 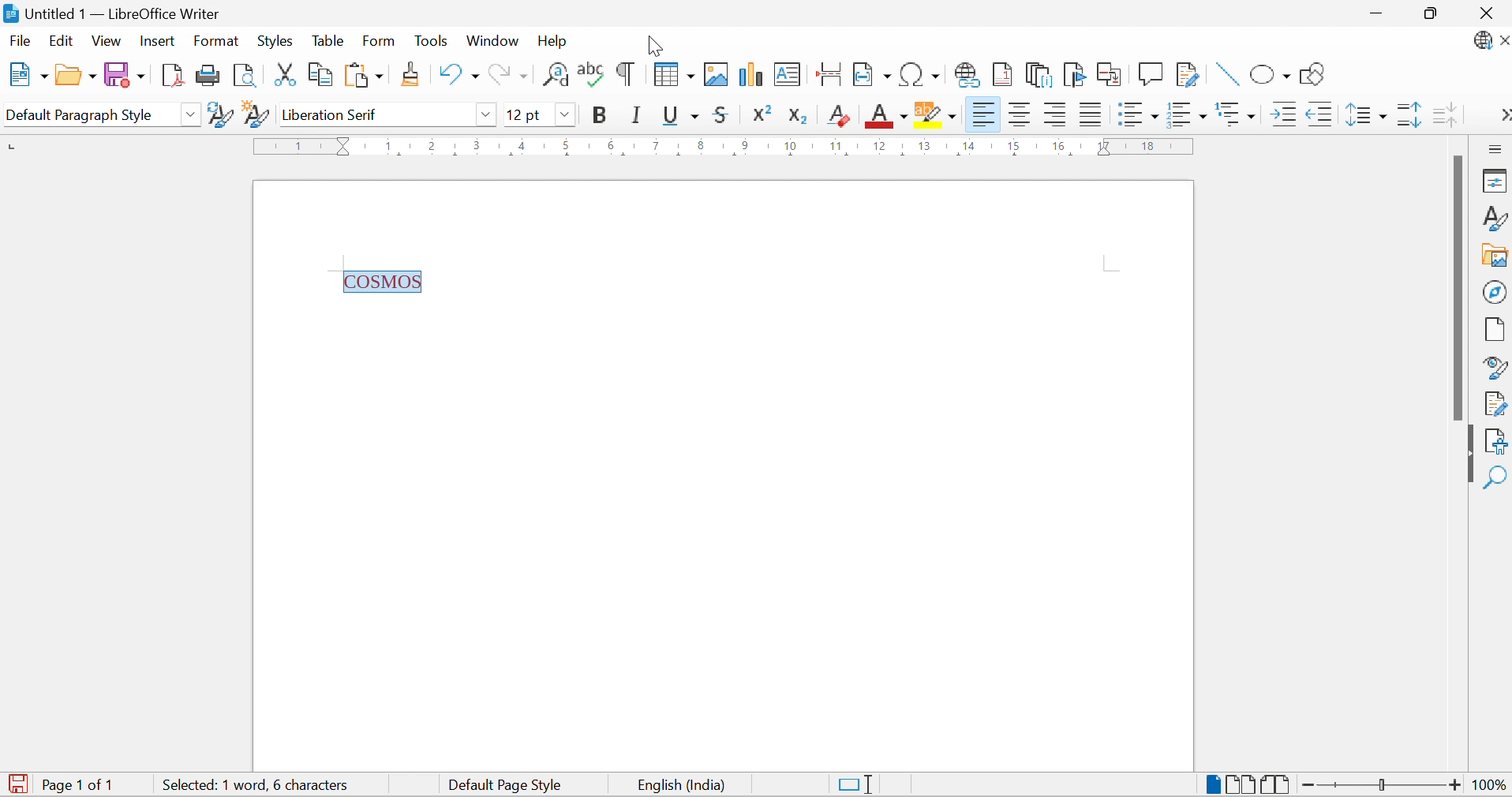 What do you see at coordinates (1444, 114) in the screenshot?
I see `Decrease Paragraph Spacing` at bounding box center [1444, 114].